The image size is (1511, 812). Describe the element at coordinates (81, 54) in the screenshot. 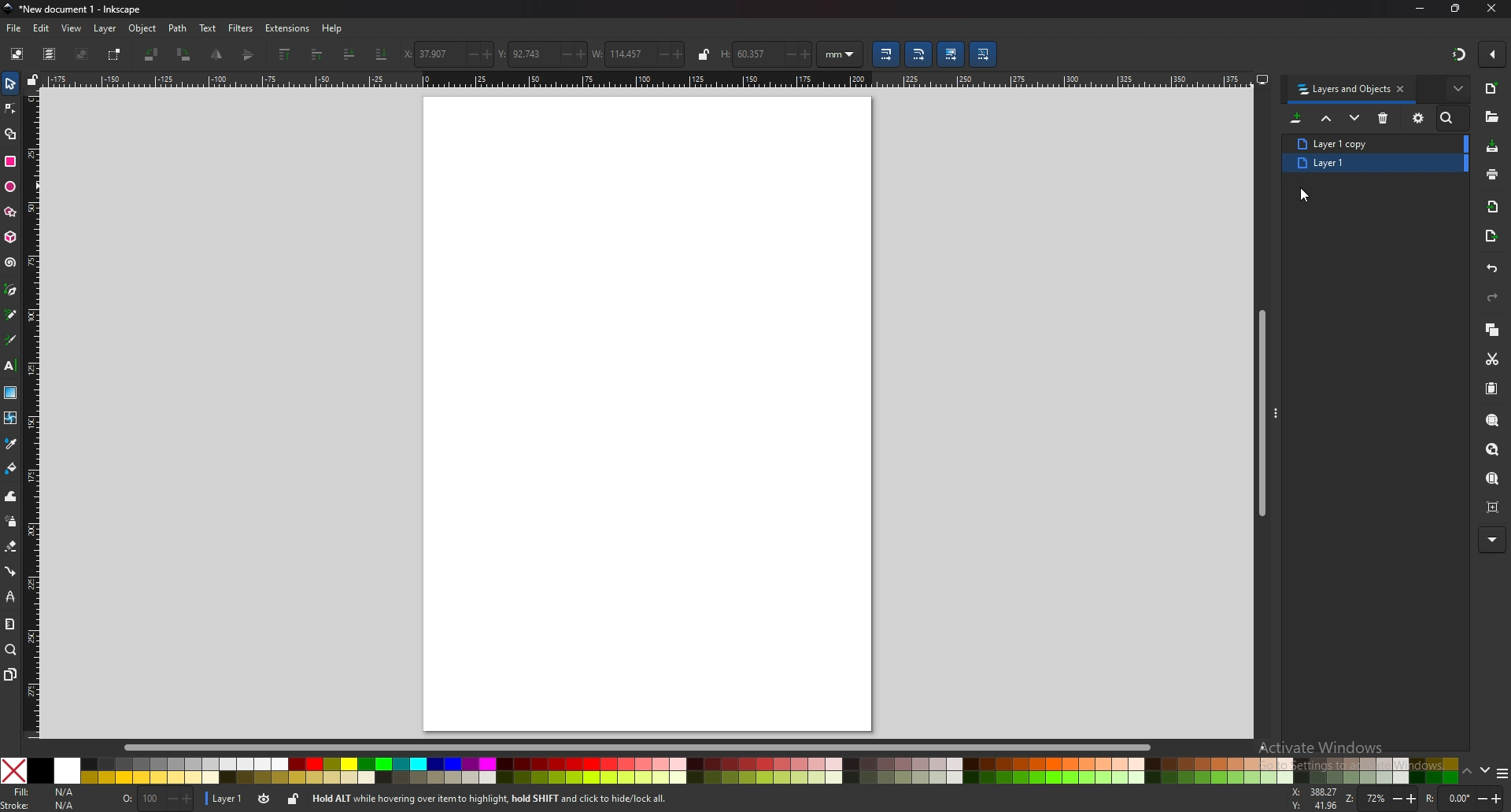

I see `deselect` at that location.